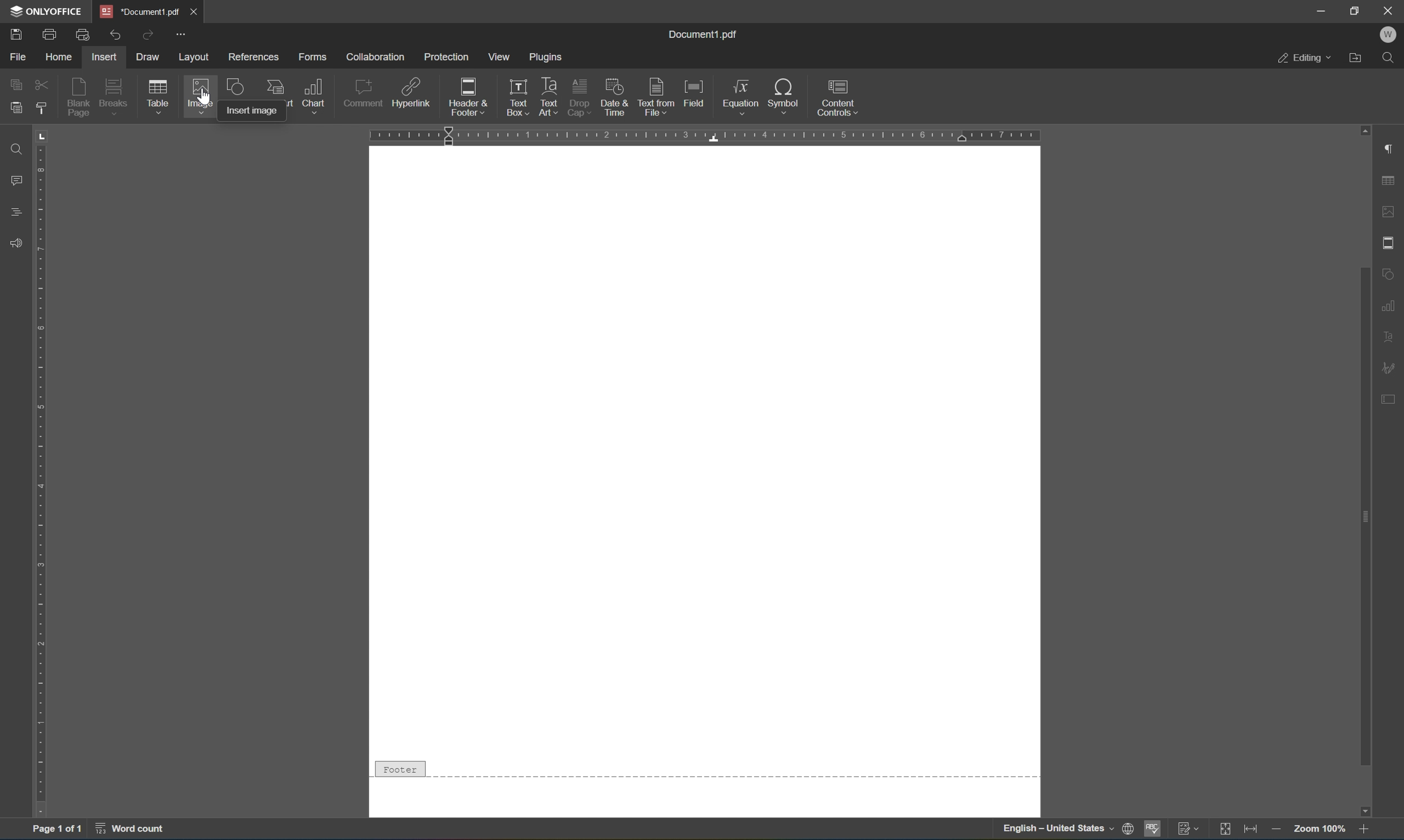 The width and height of the screenshot is (1404, 840). I want to click on zoom 100%, so click(1318, 829).